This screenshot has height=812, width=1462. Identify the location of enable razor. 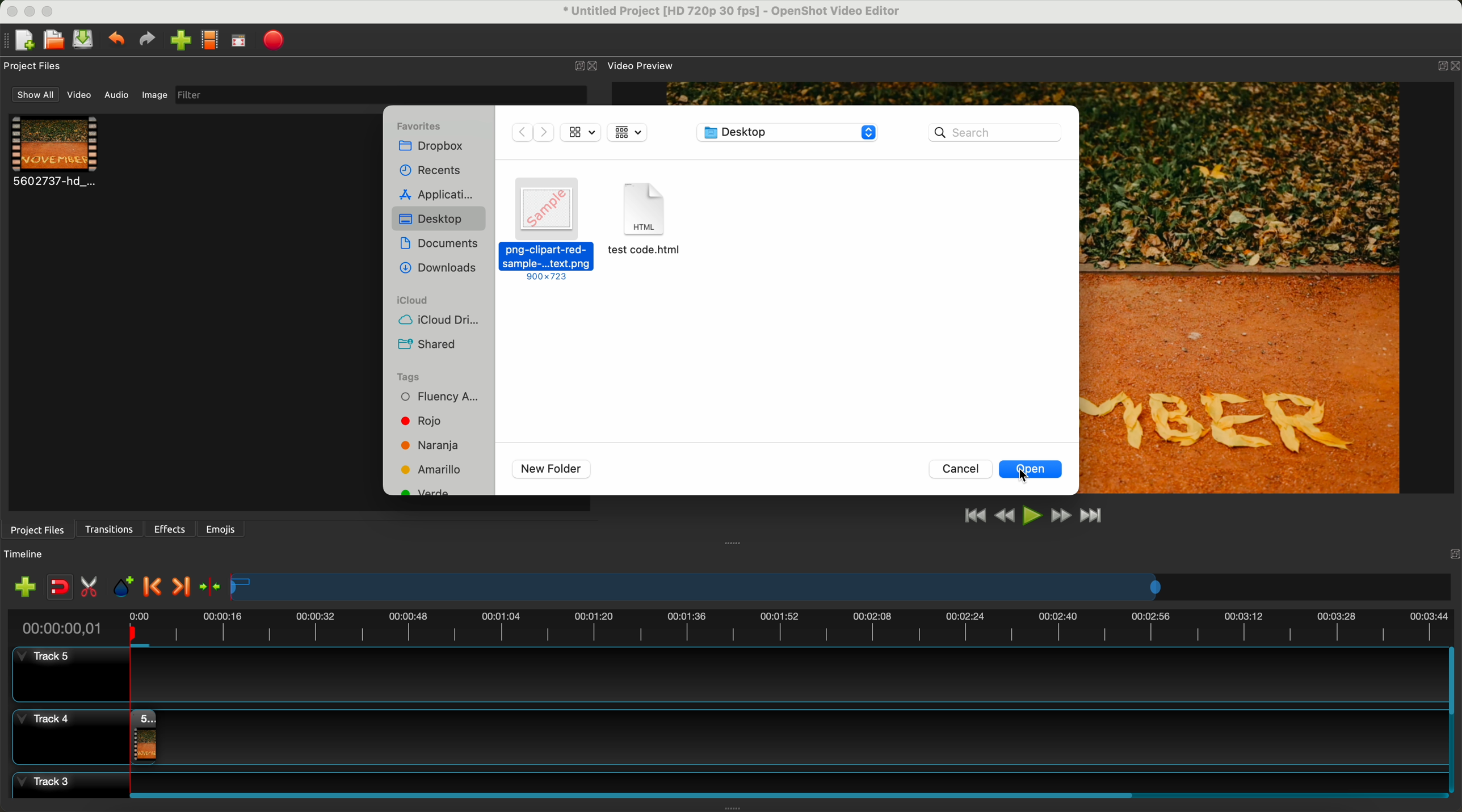
(92, 589).